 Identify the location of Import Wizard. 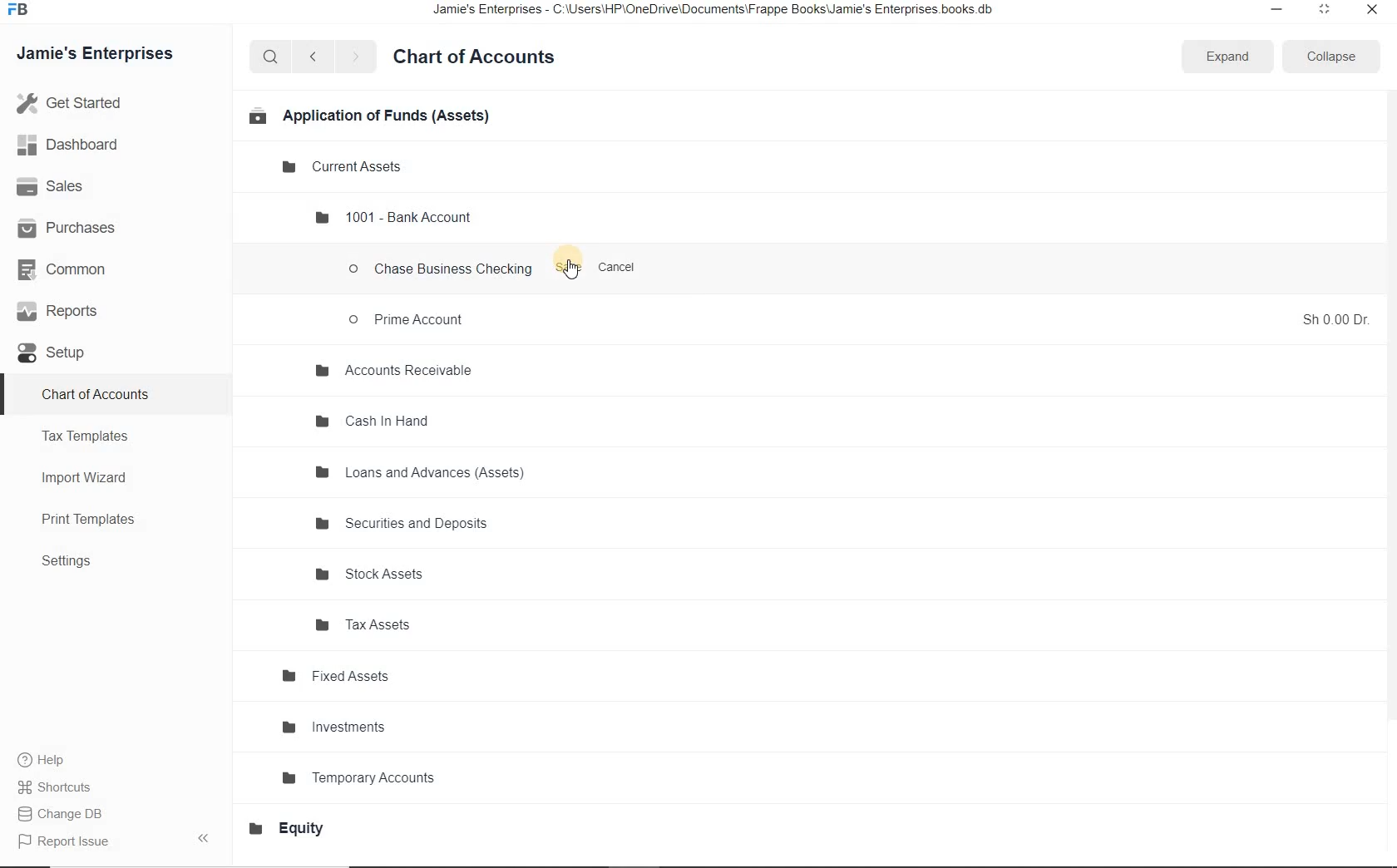
(92, 476).